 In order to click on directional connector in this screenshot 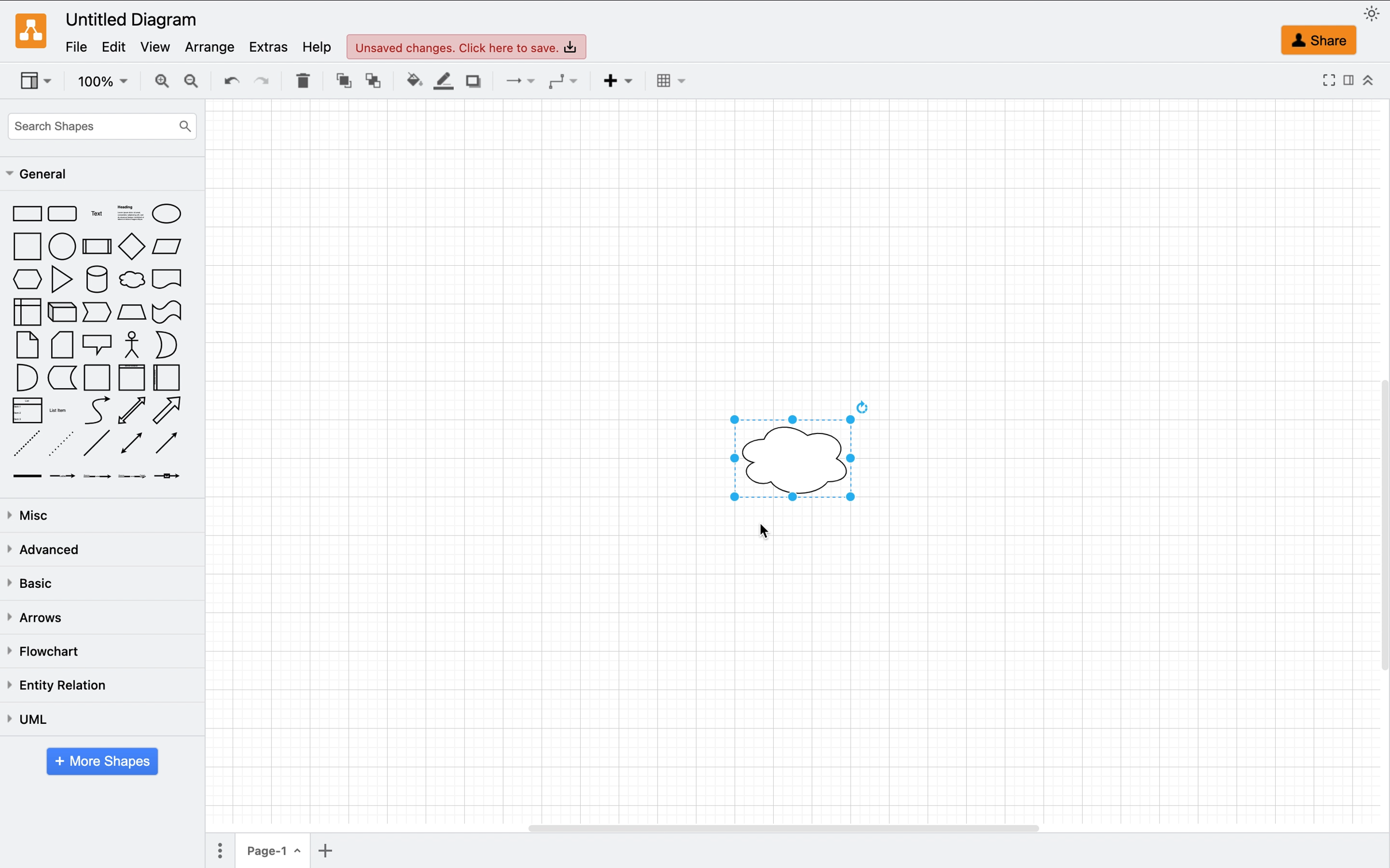, I will do `click(165, 444)`.